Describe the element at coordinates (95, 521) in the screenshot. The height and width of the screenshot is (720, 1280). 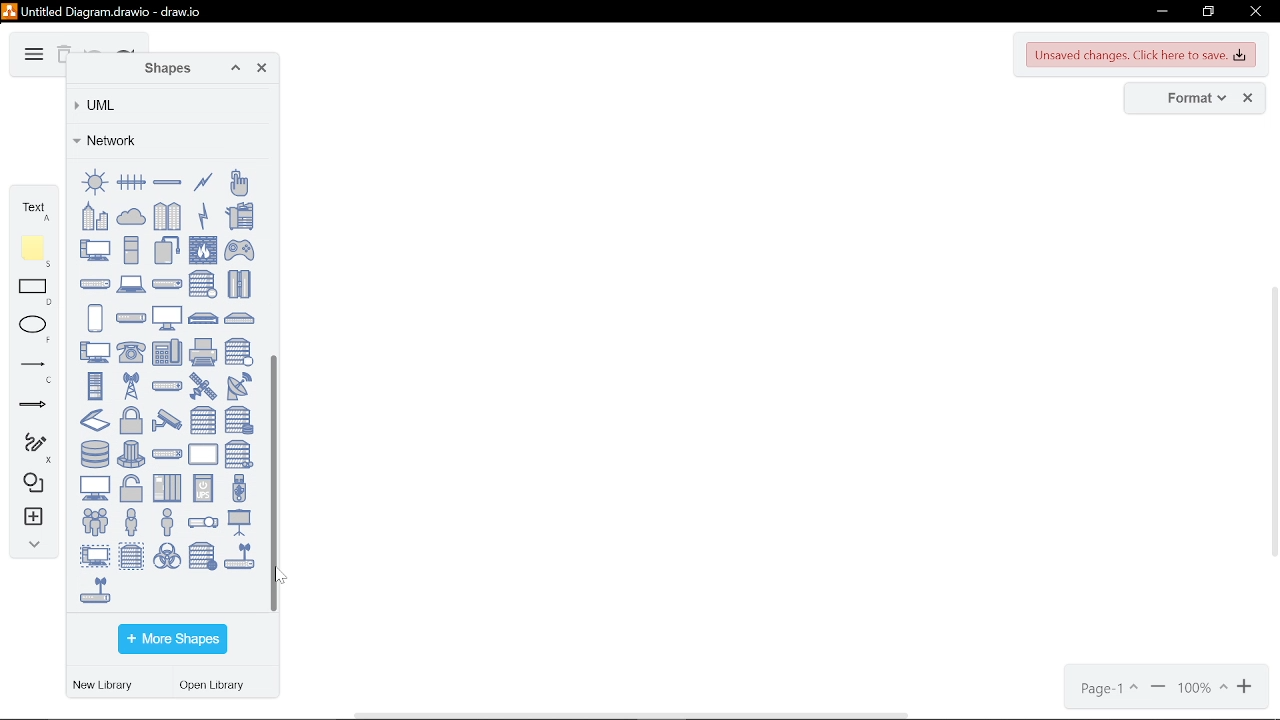
I see `users` at that location.